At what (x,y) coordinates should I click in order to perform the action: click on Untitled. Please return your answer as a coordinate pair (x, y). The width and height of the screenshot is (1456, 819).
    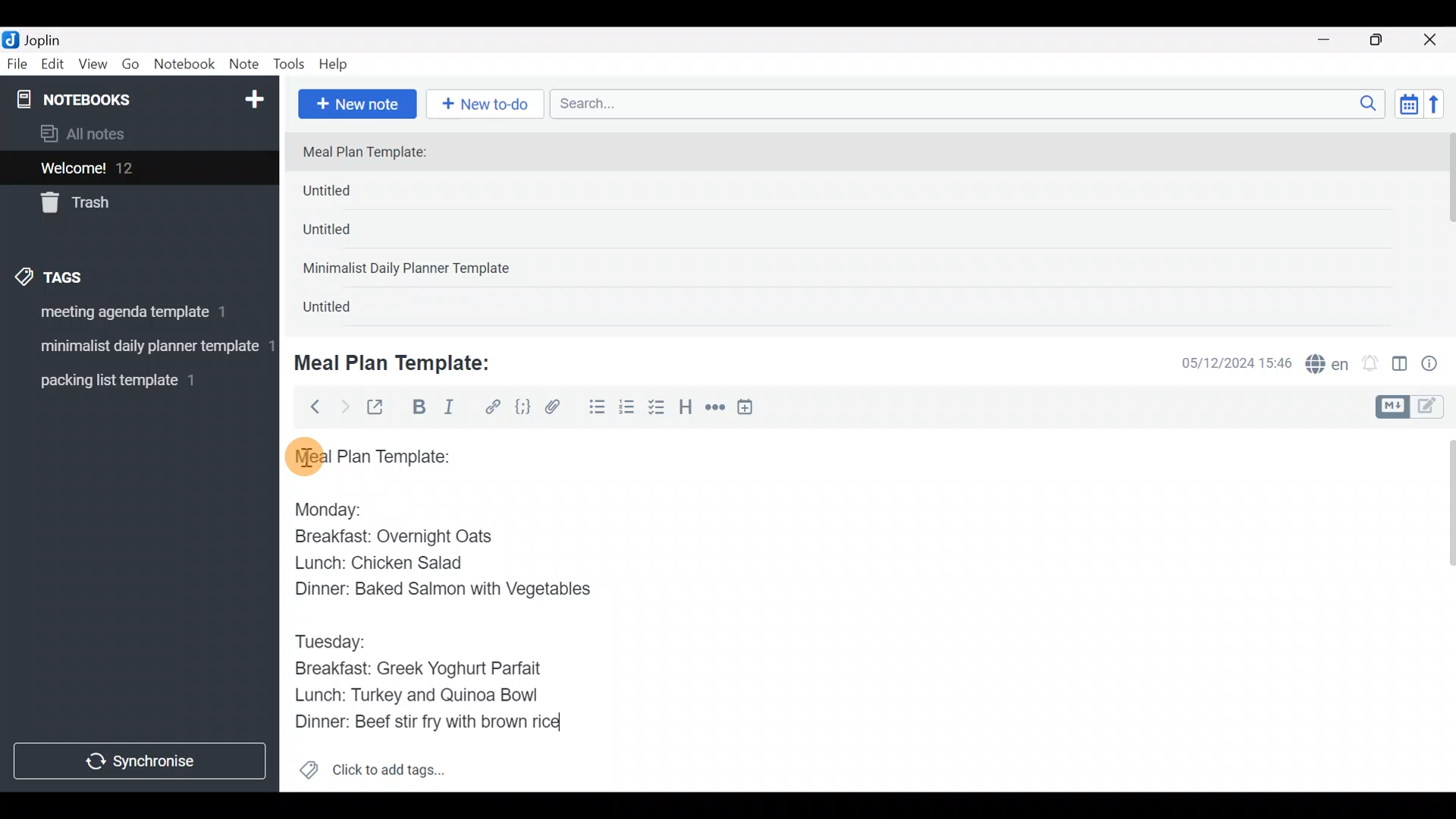
    Looking at the image, I should click on (352, 194).